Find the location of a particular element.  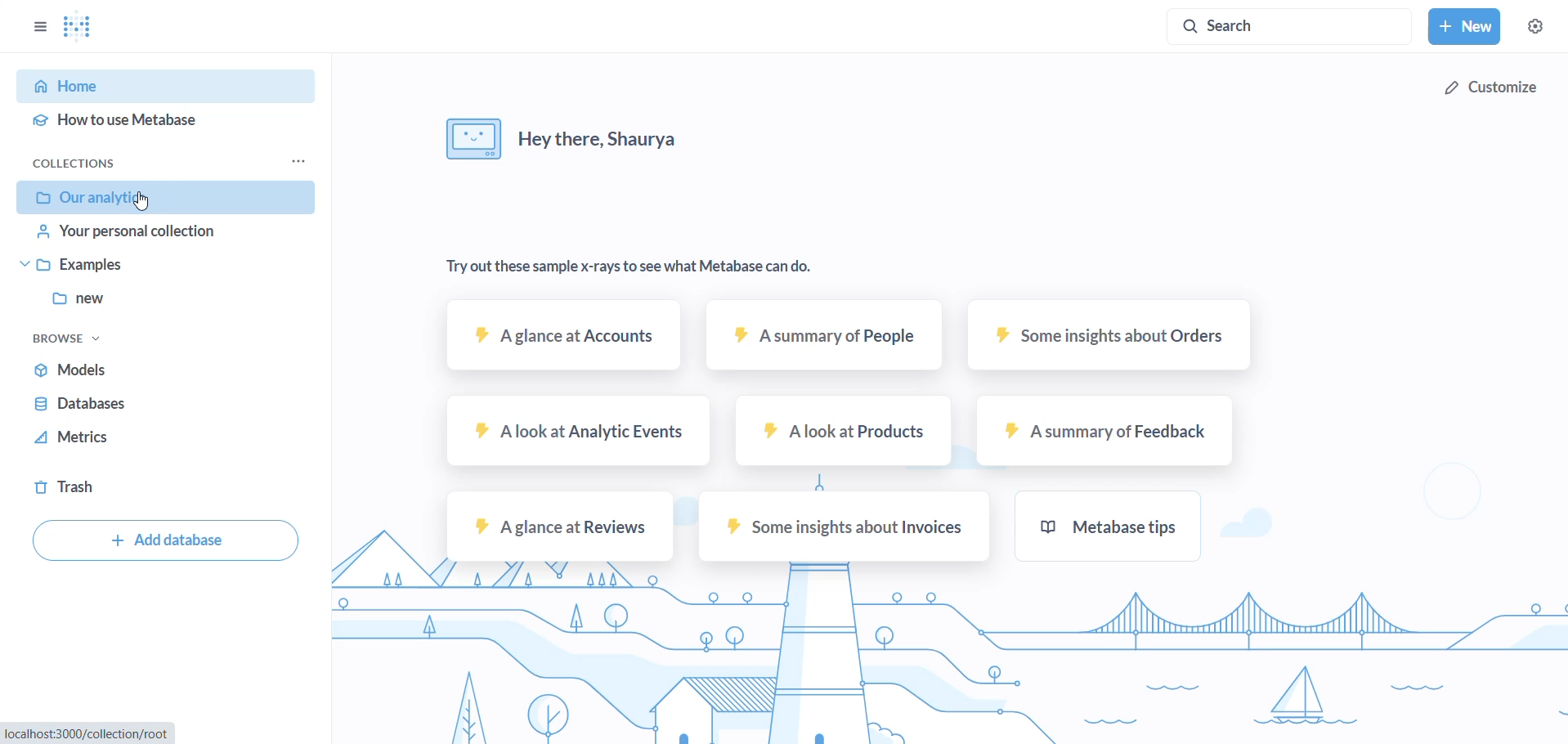

metrics is located at coordinates (158, 442).